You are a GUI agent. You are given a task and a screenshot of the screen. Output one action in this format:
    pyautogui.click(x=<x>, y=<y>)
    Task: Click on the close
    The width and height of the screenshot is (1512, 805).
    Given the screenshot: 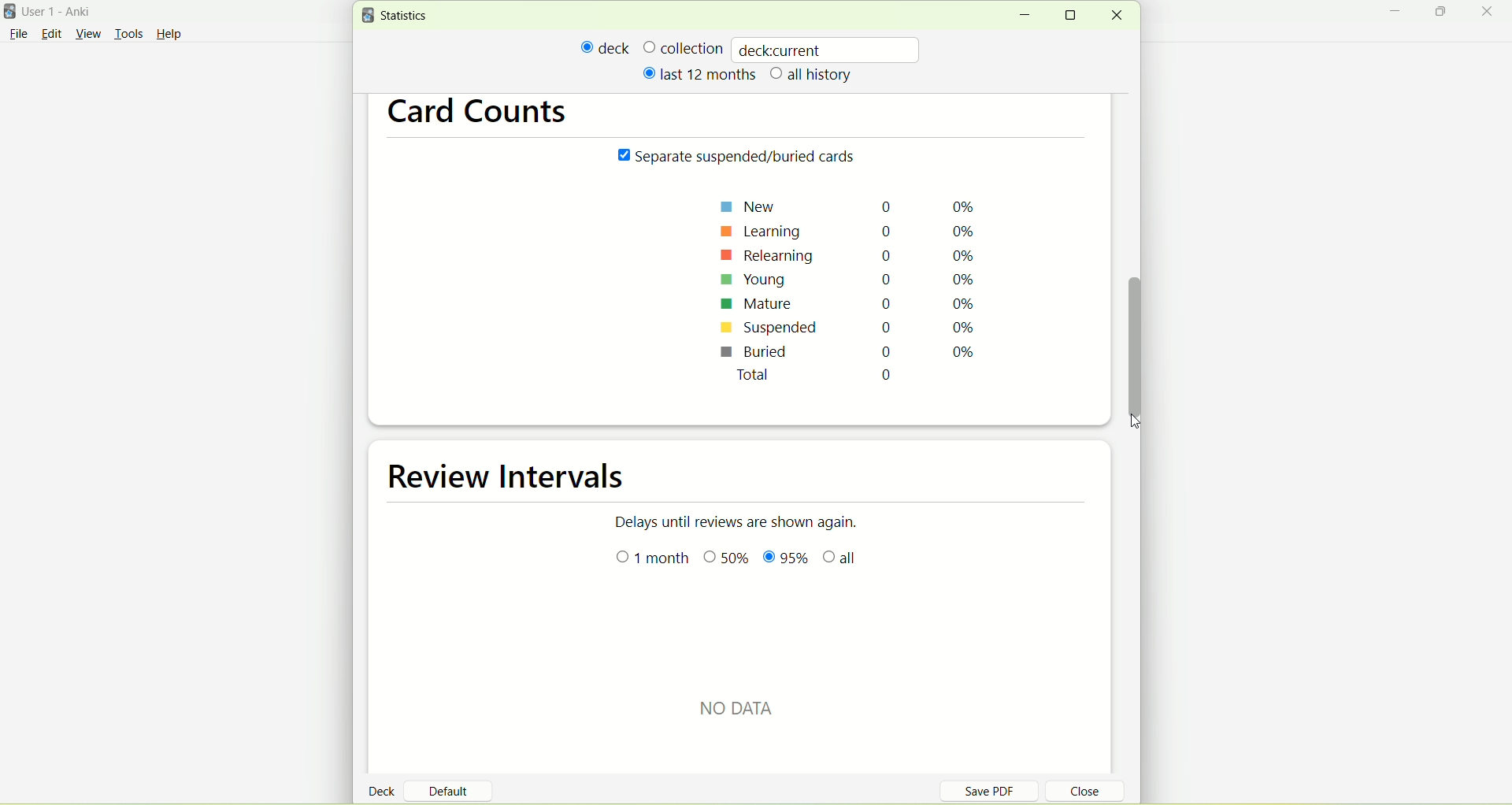 What is the action you would take?
    pyautogui.click(x=1076, y=793)
    